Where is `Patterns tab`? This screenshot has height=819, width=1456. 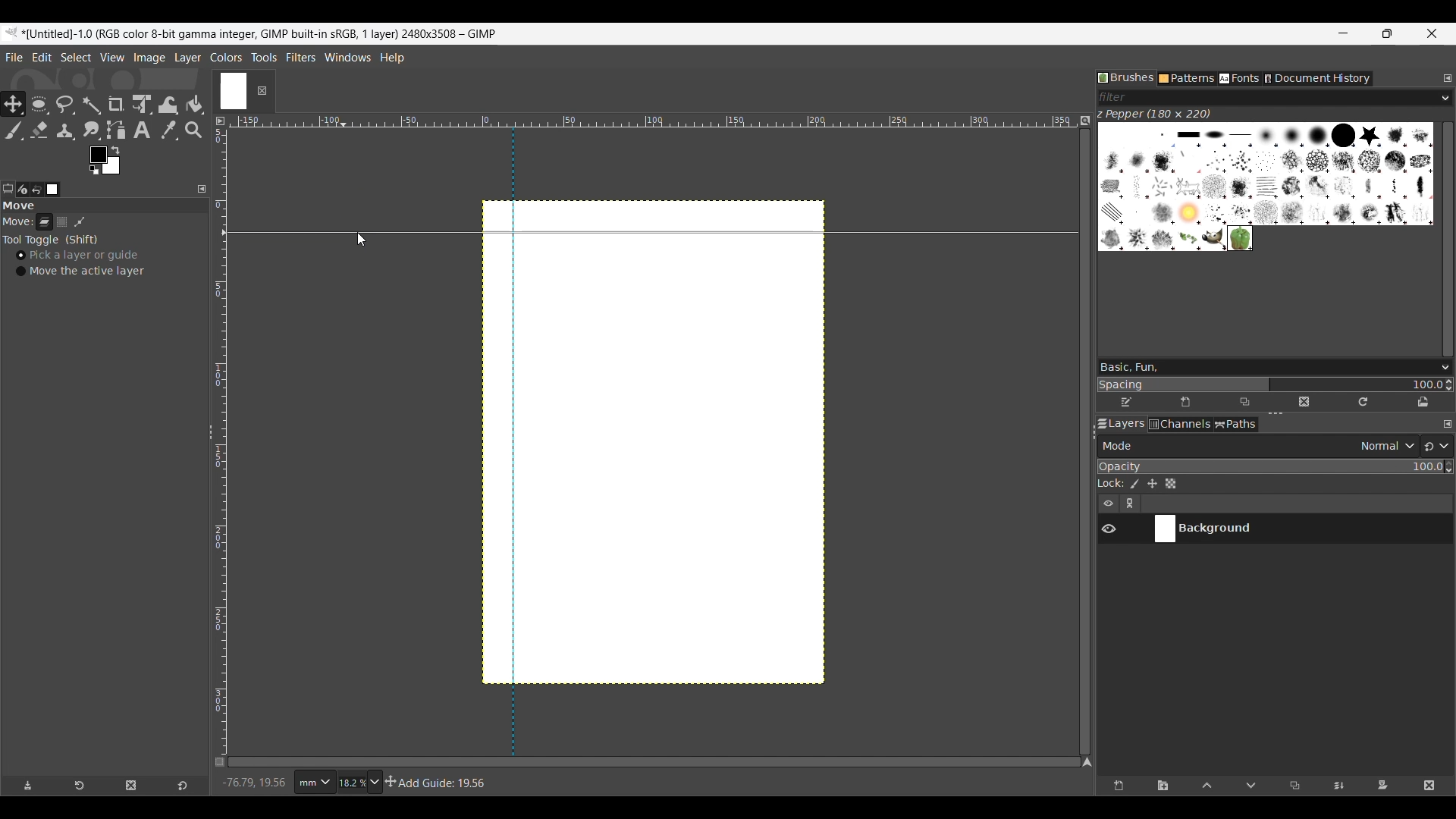
Patterns tab is located at coordinates (1187, 79).